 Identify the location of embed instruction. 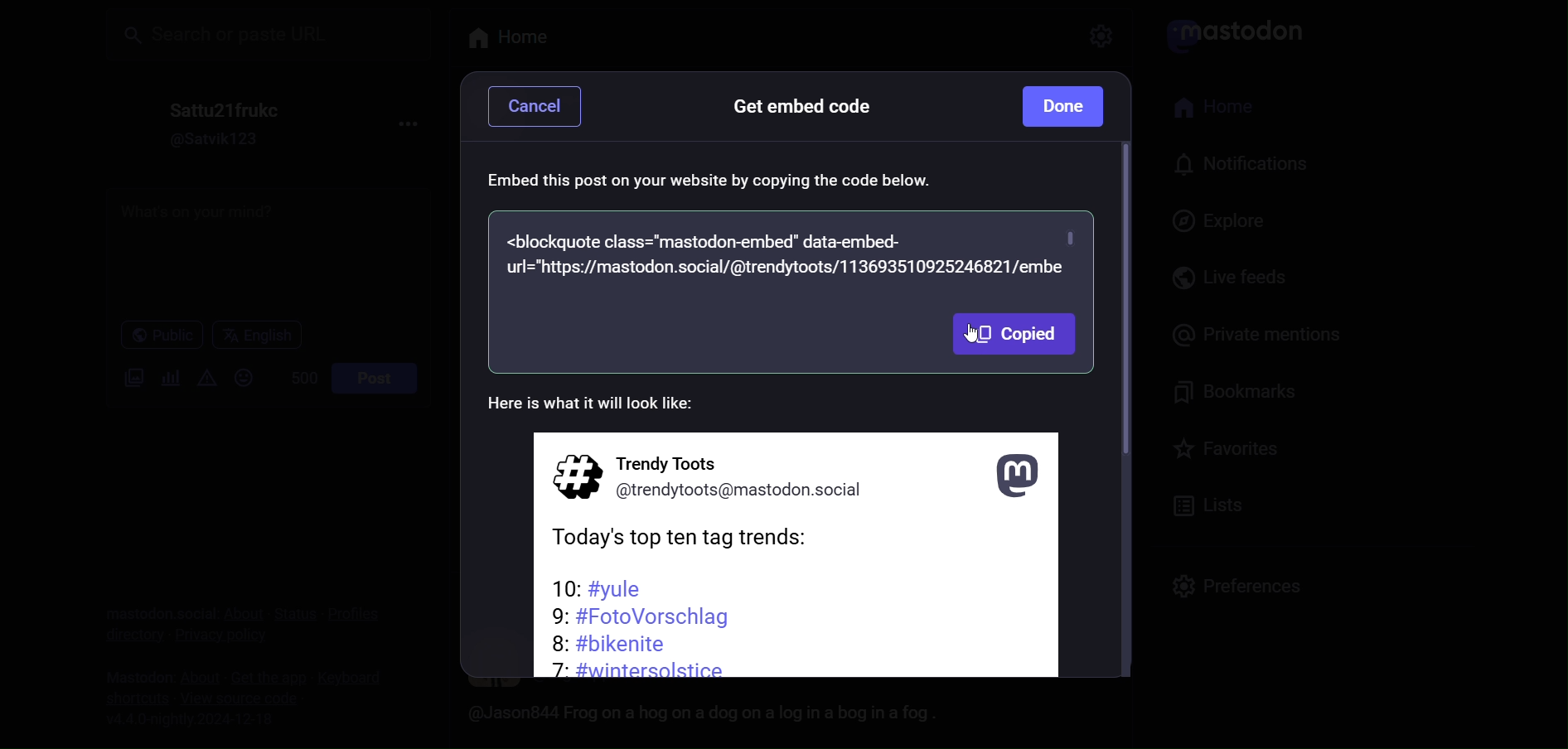
(716, 182).